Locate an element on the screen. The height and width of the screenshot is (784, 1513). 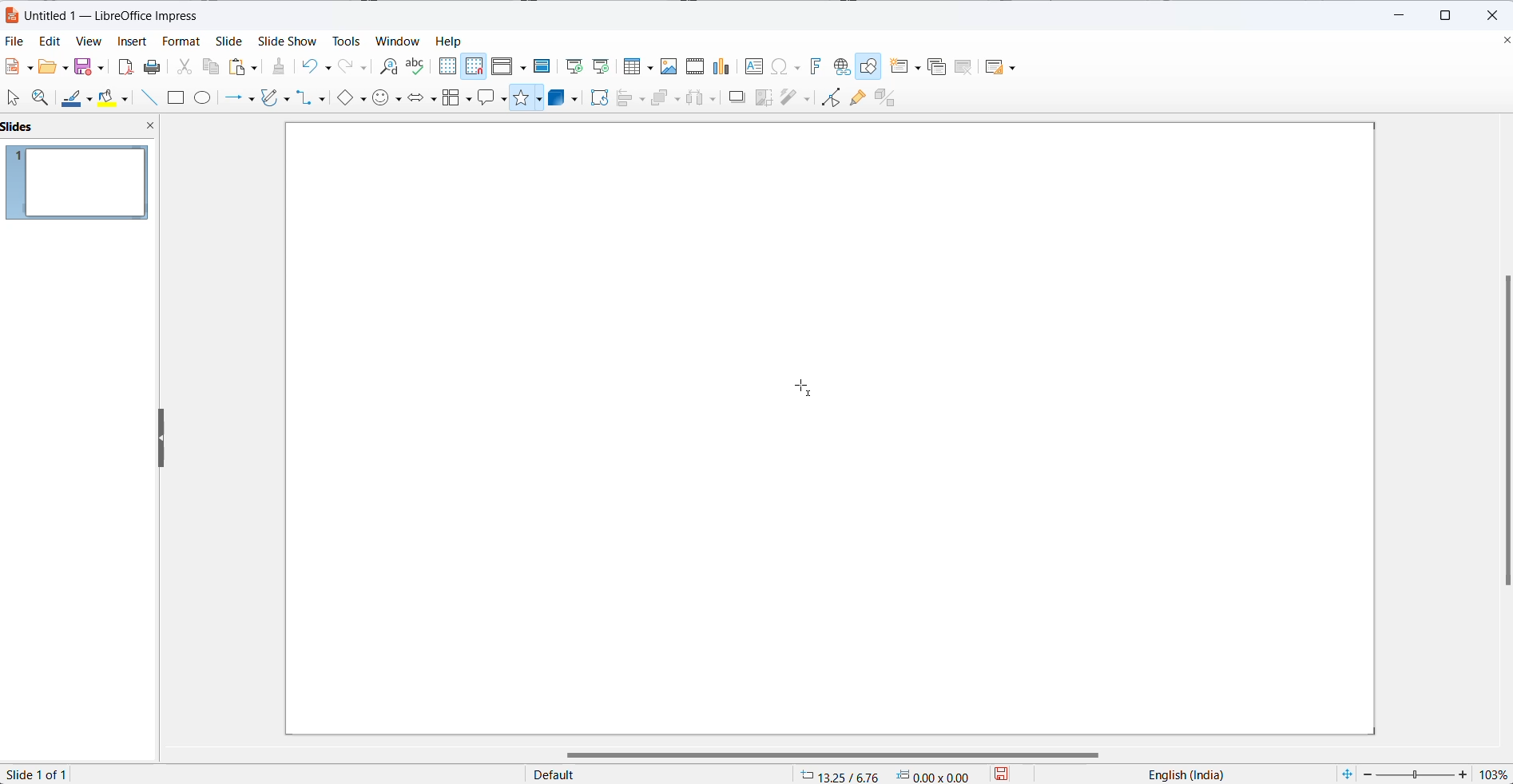
minimize is located at coordinates (1393, 16).